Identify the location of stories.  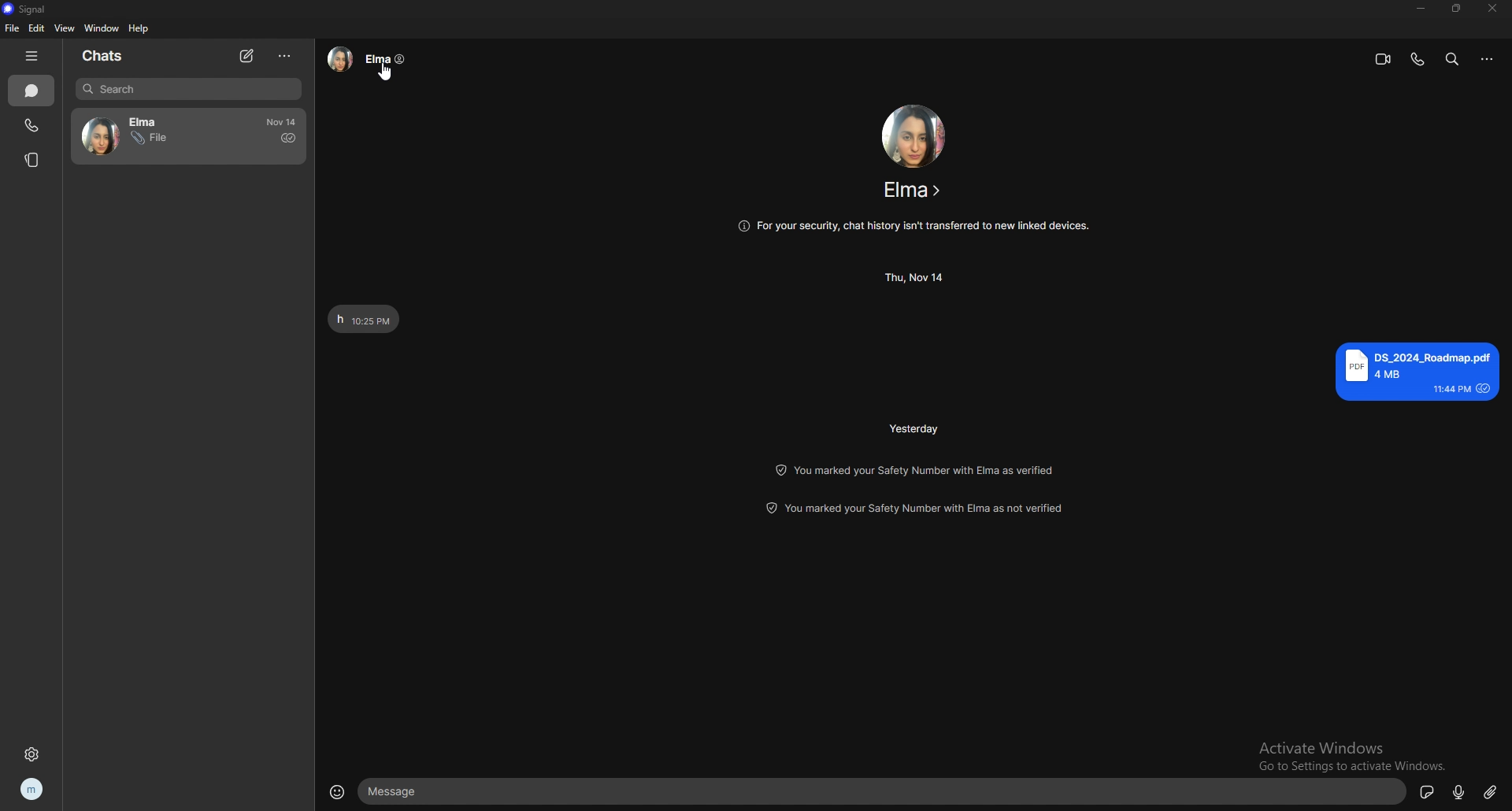
(35, 160).